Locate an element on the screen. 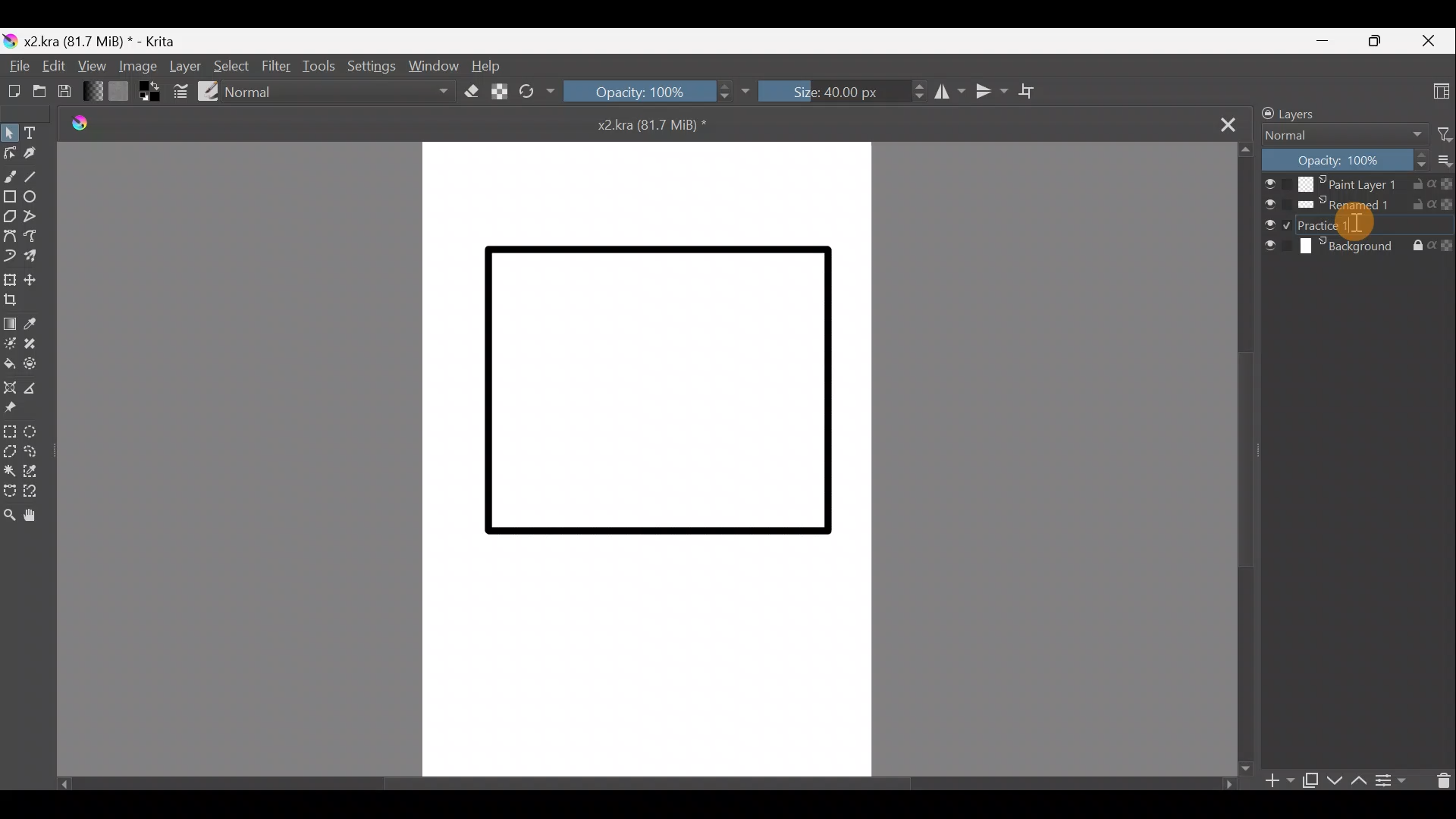 This screenshot has width=1456, height=819. Choose workspace is located at coordinates (1429, 90).